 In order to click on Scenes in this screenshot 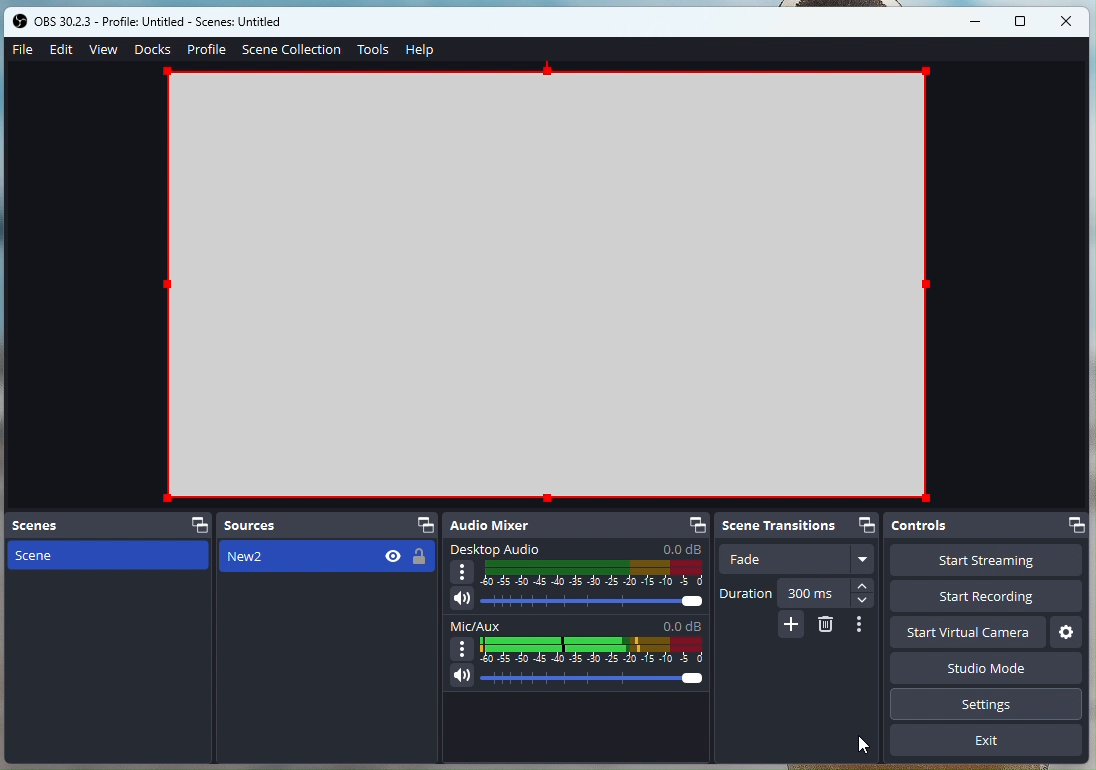, I will do `click(58, 524)`.